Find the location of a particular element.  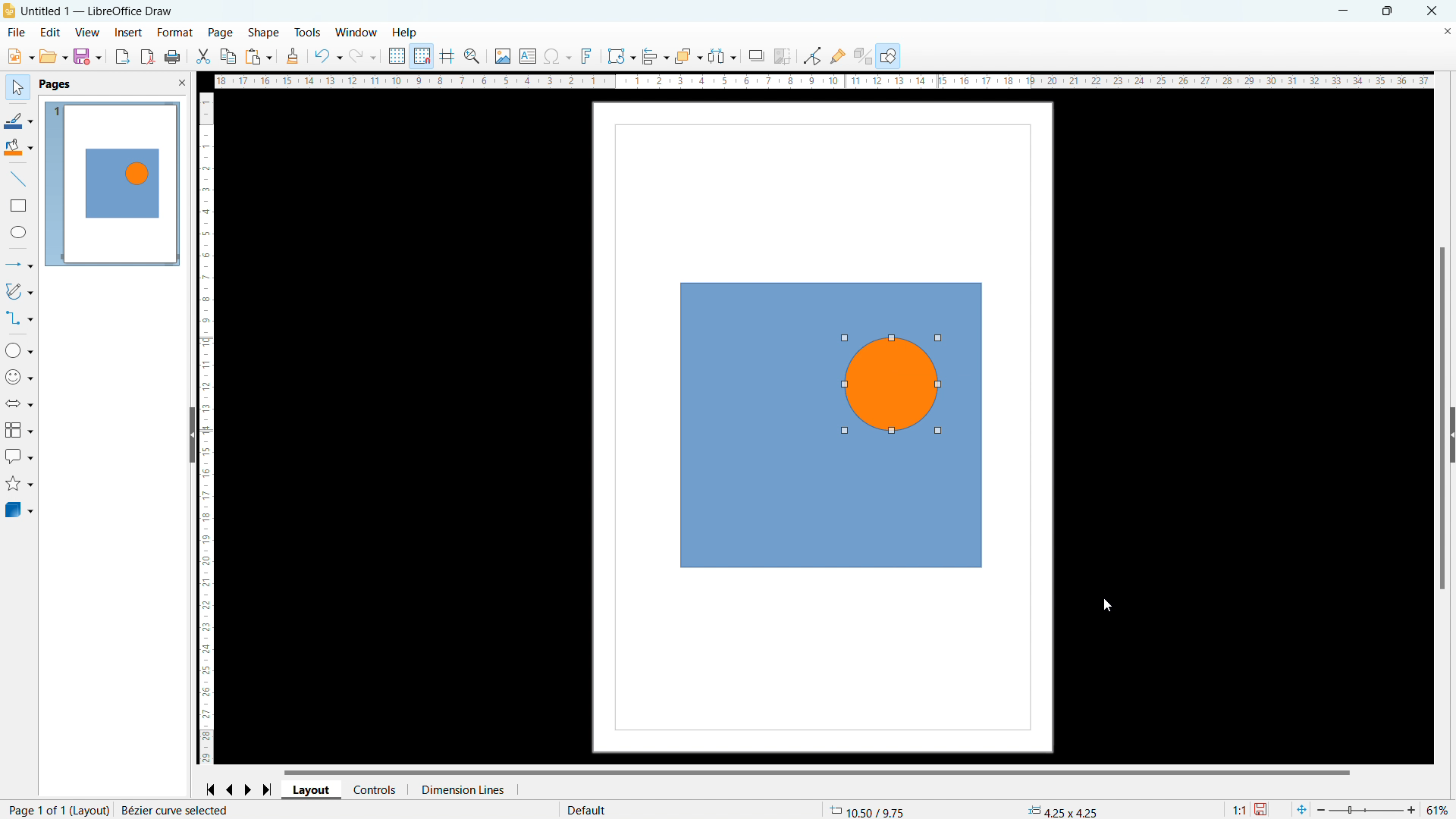

dimension lines is located at coordinates (460, 789).